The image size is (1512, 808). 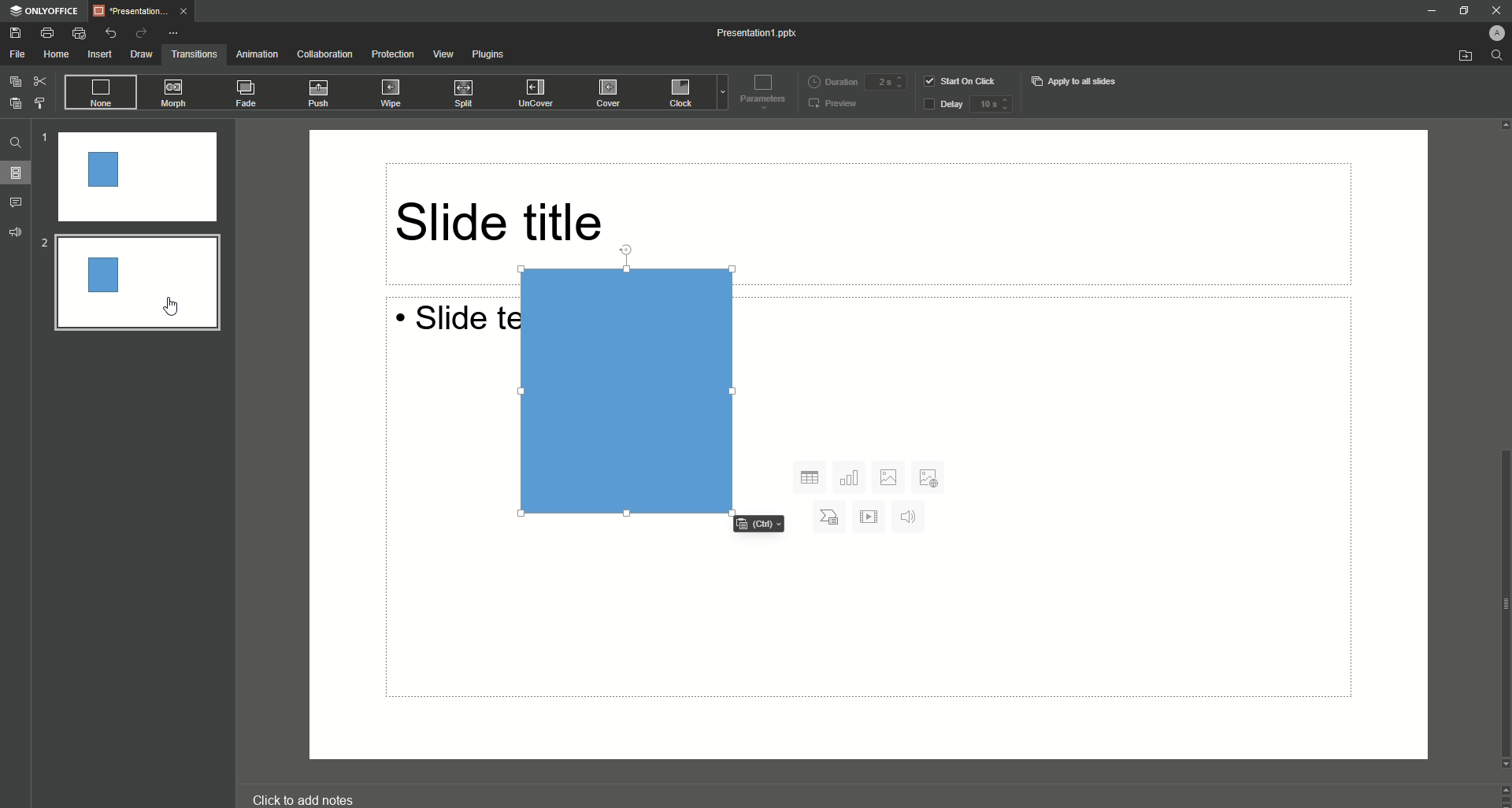 I want to click on Undo, so click(x=111, y=32).